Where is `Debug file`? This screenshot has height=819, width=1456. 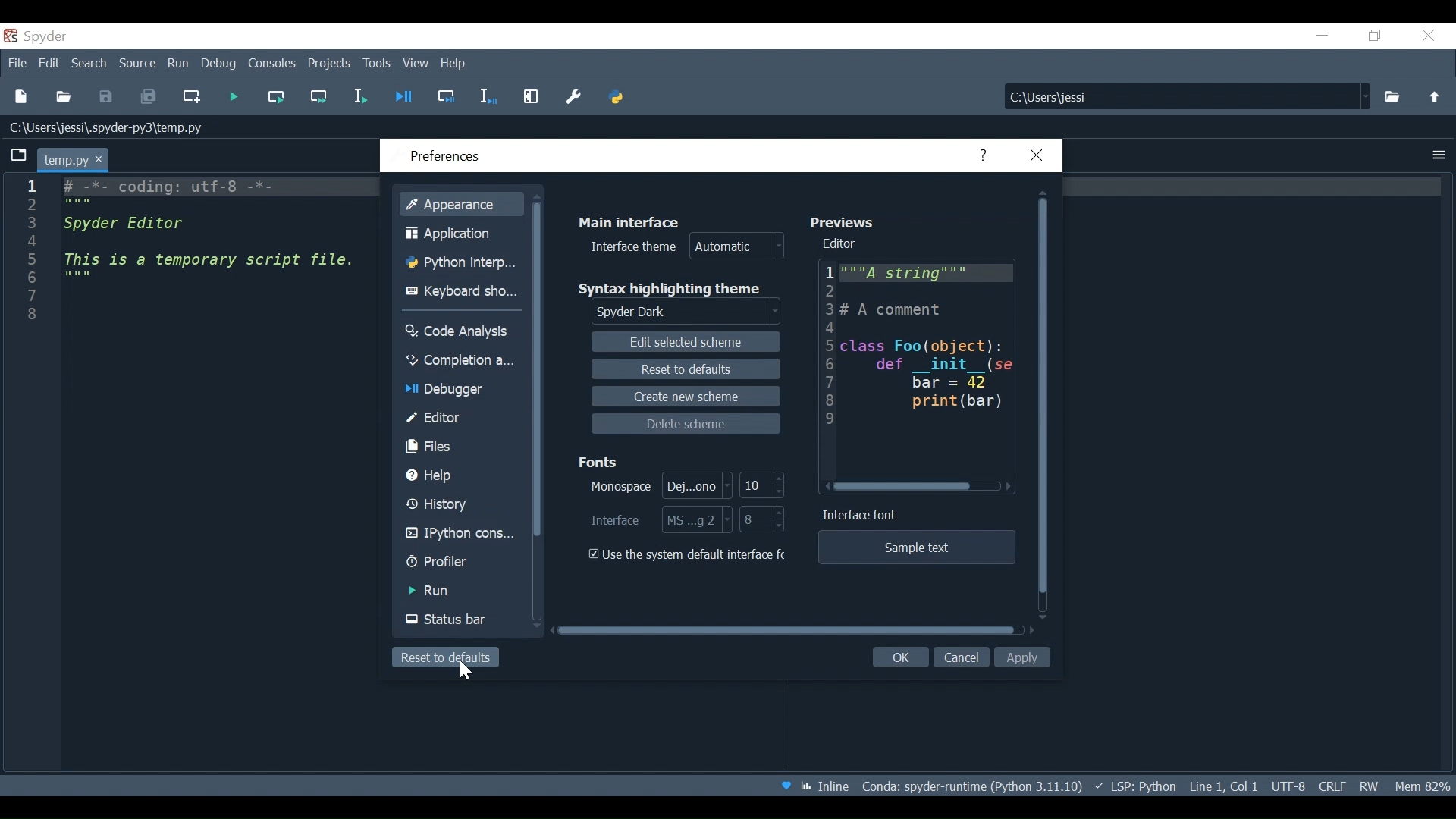 Debug file is located at coordinates (403, 98).